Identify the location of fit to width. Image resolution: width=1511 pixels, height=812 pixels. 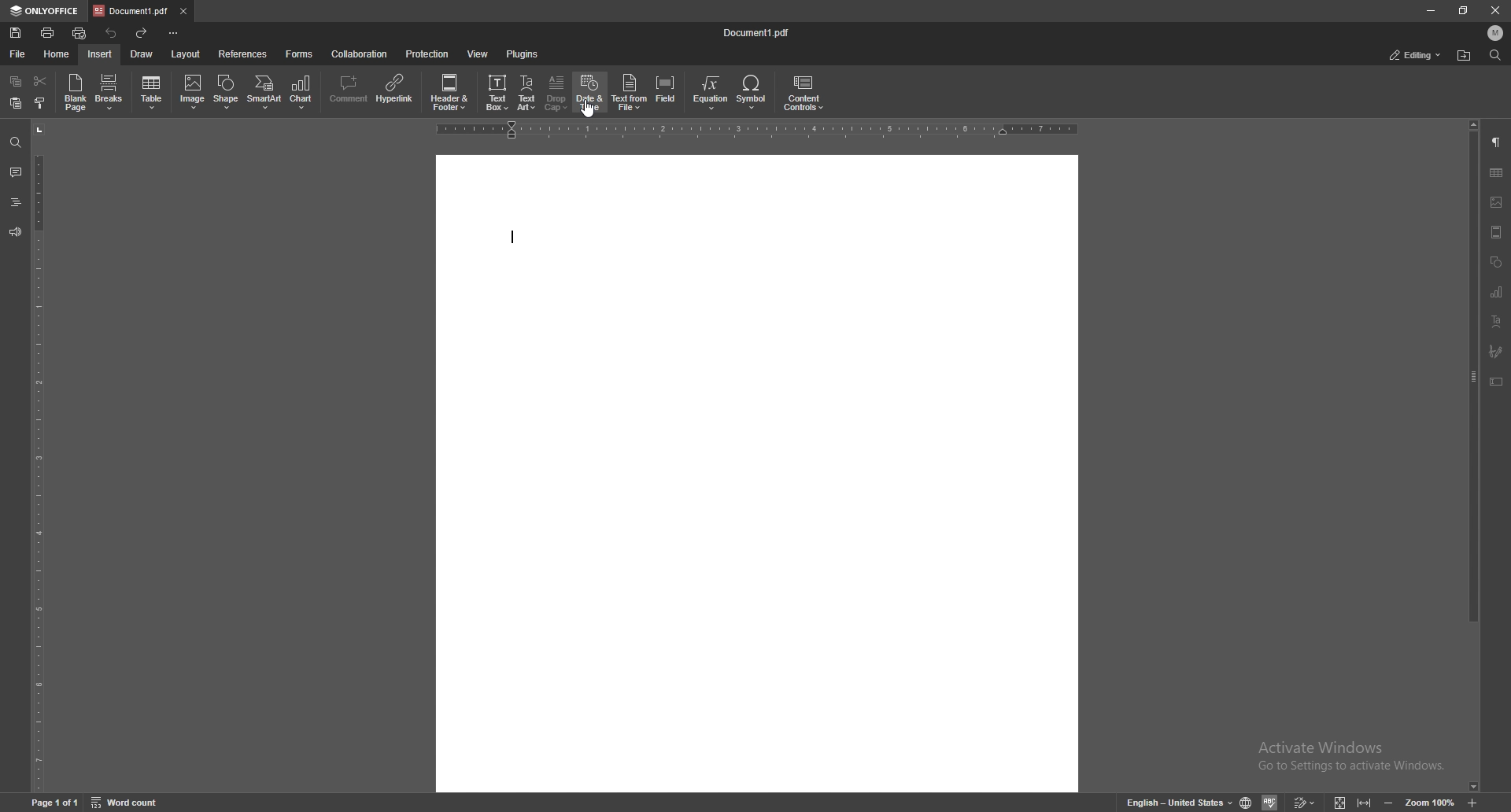
(1365, 802).